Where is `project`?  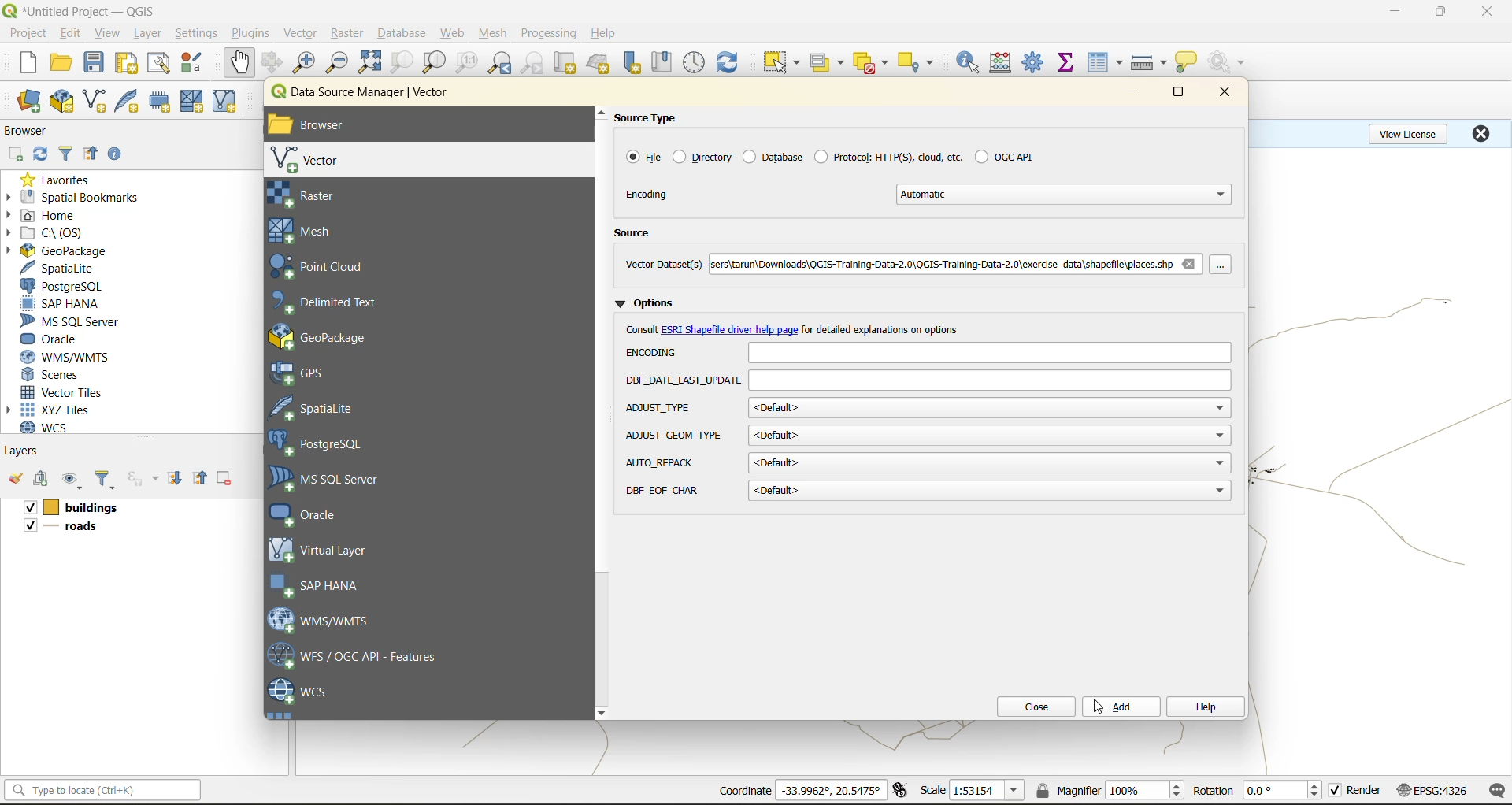
project is located at coordinates (28, 34).